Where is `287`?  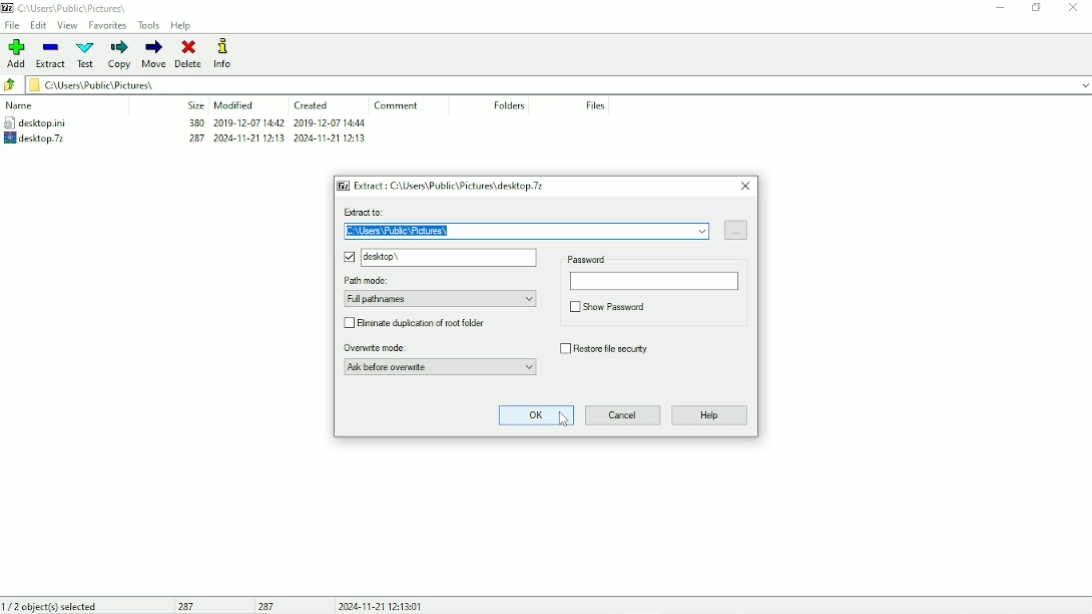 287 is located at coordinates (267, 606).